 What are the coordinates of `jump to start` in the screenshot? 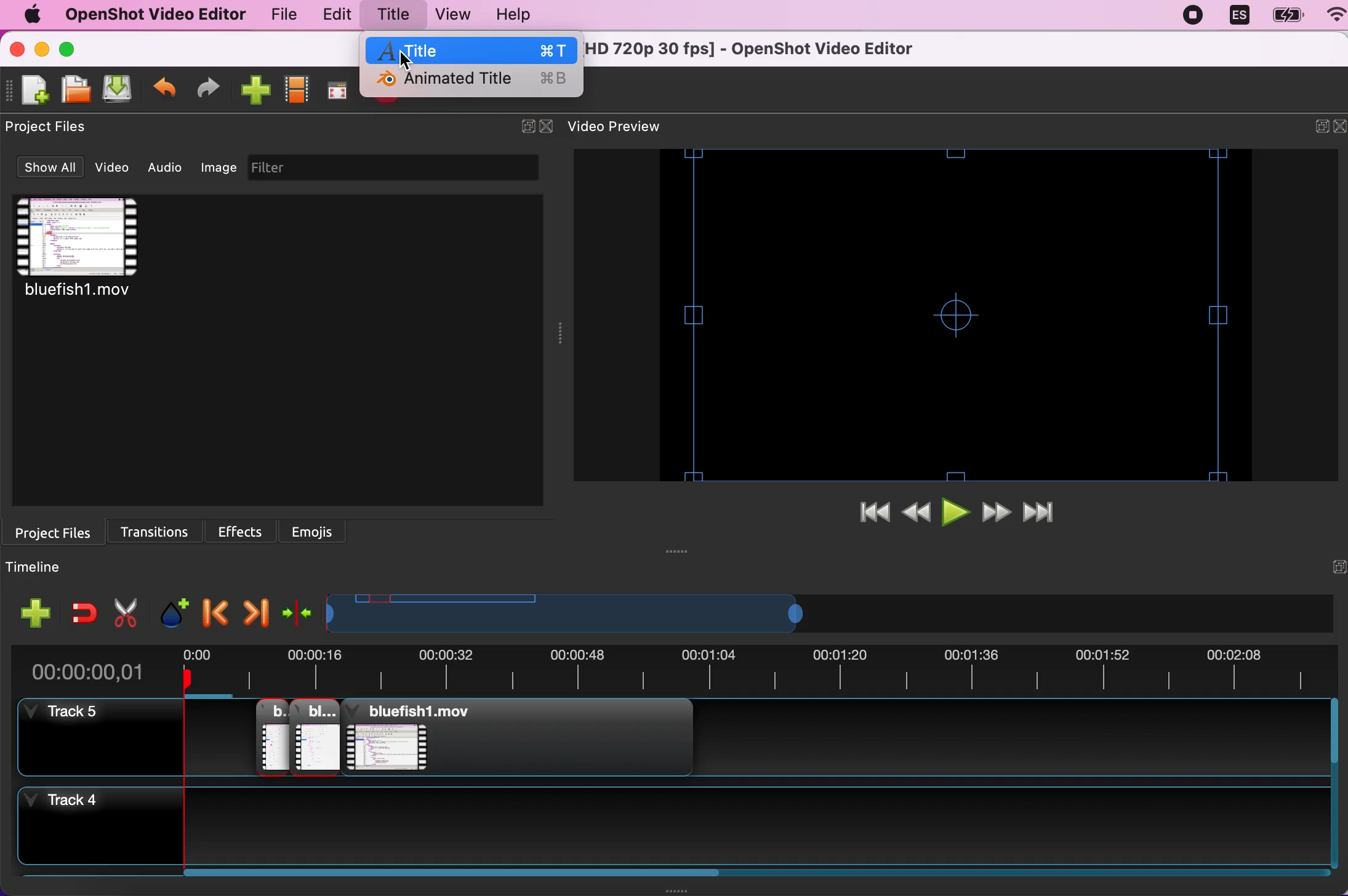 It's located at (873, 514).